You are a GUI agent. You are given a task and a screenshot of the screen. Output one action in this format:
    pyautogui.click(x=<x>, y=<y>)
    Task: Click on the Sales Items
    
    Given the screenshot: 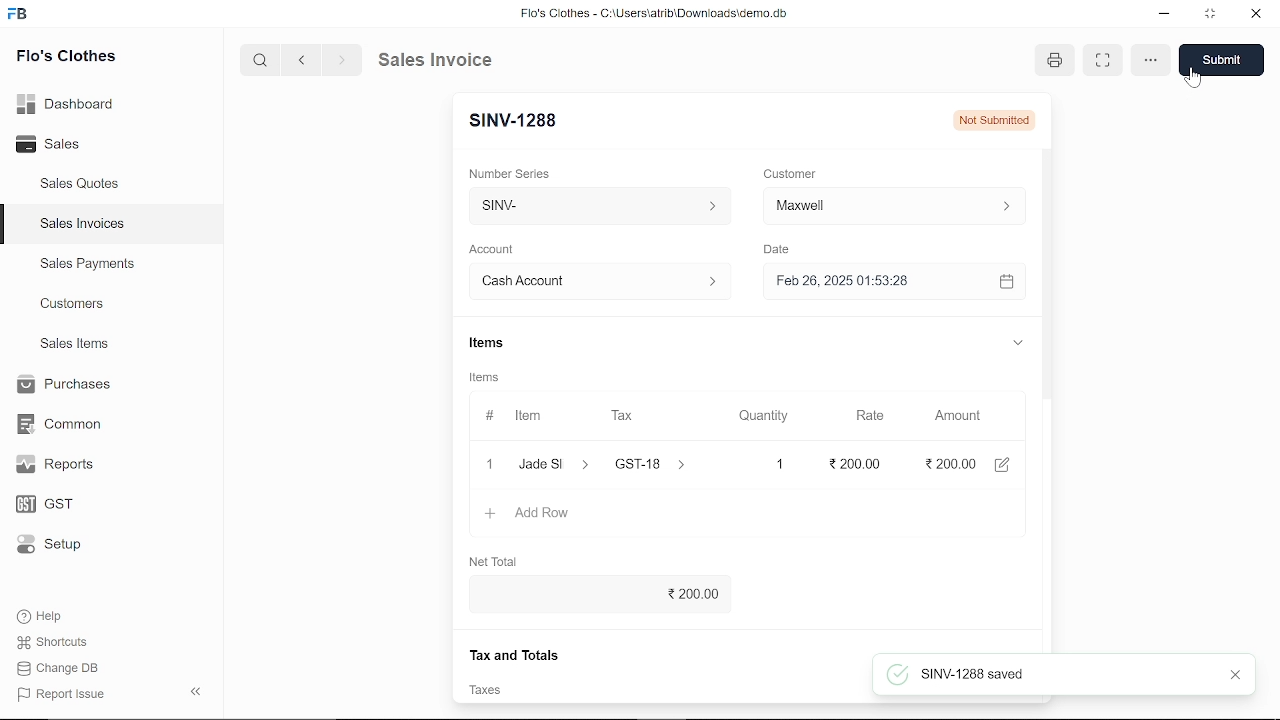 What is the action you would take?
    pyautogui.click(x=74, y=346)
    